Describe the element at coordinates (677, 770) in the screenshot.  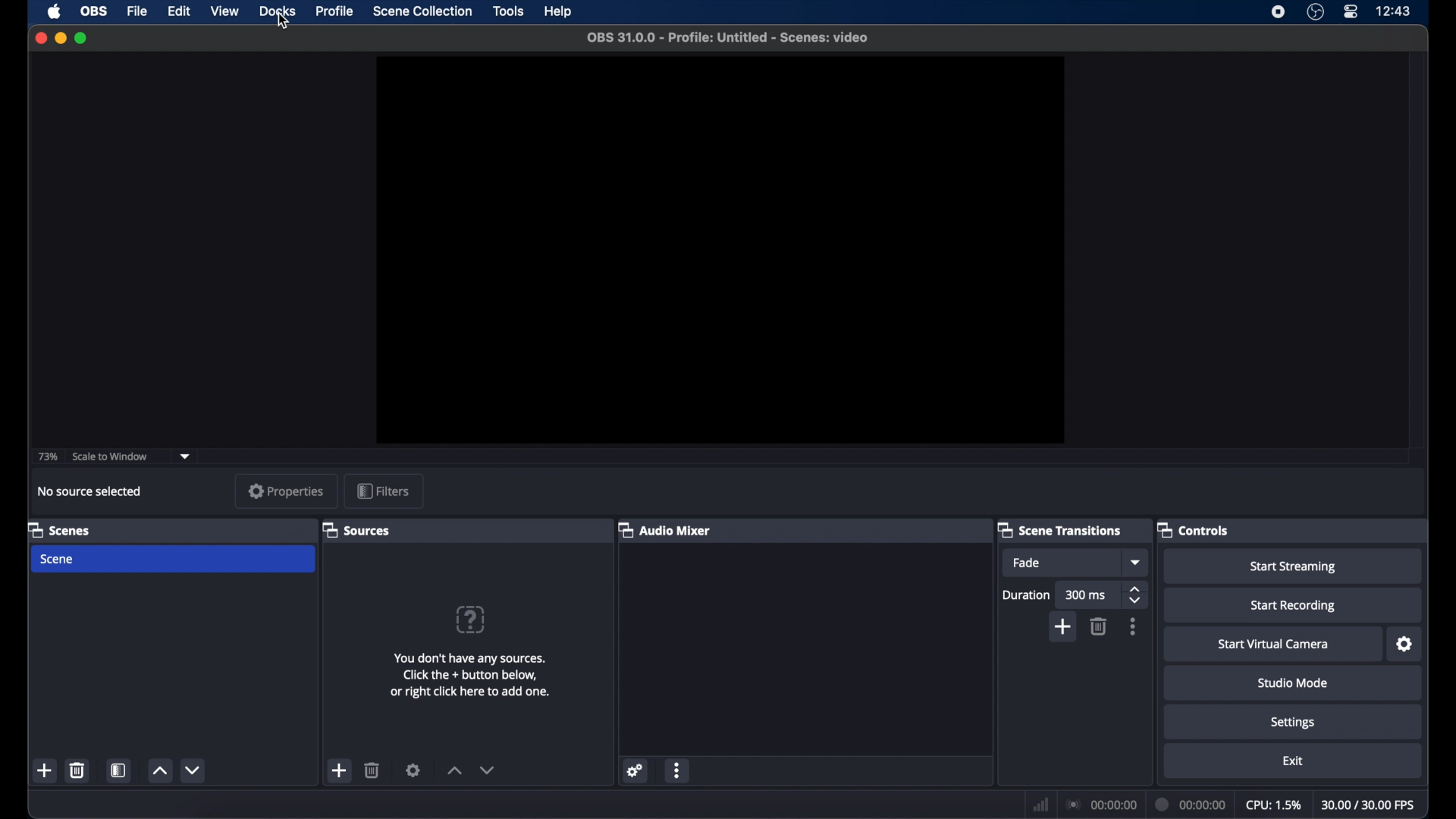
I see `more options` at that location.